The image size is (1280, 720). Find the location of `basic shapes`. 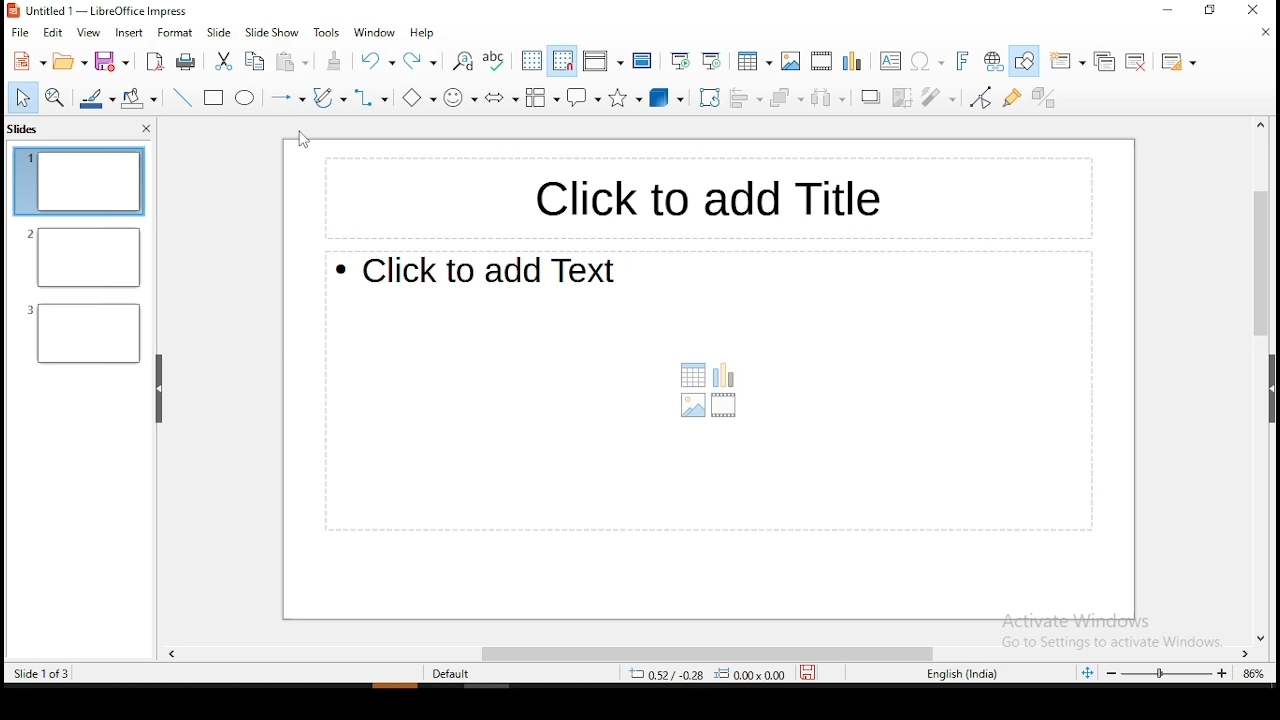

basic shapes is located at coordinates (418, 98).